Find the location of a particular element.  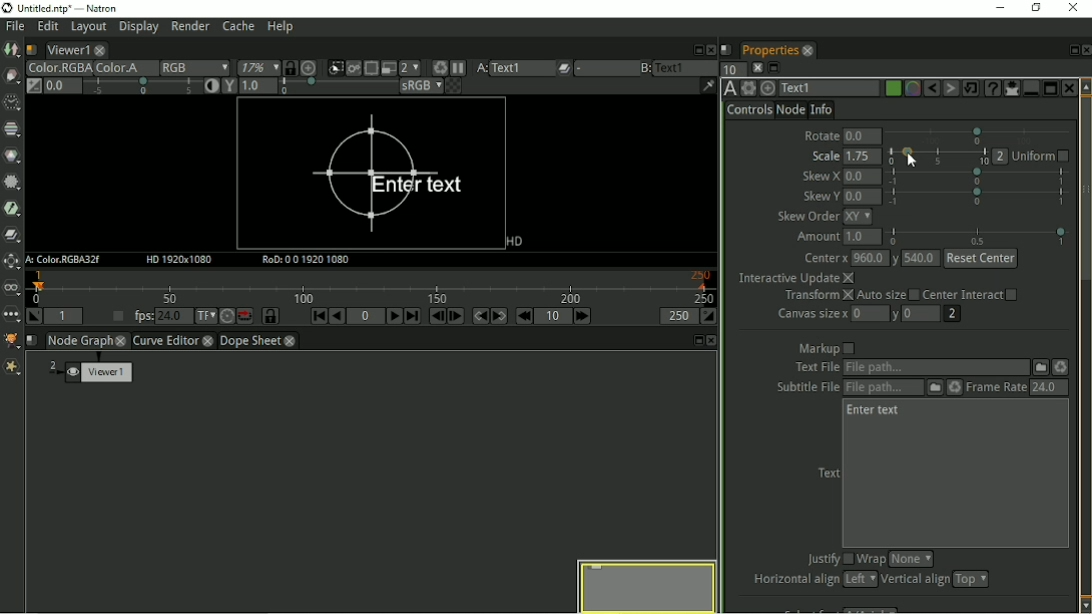

Play backward is located at coordinates (338, 316).